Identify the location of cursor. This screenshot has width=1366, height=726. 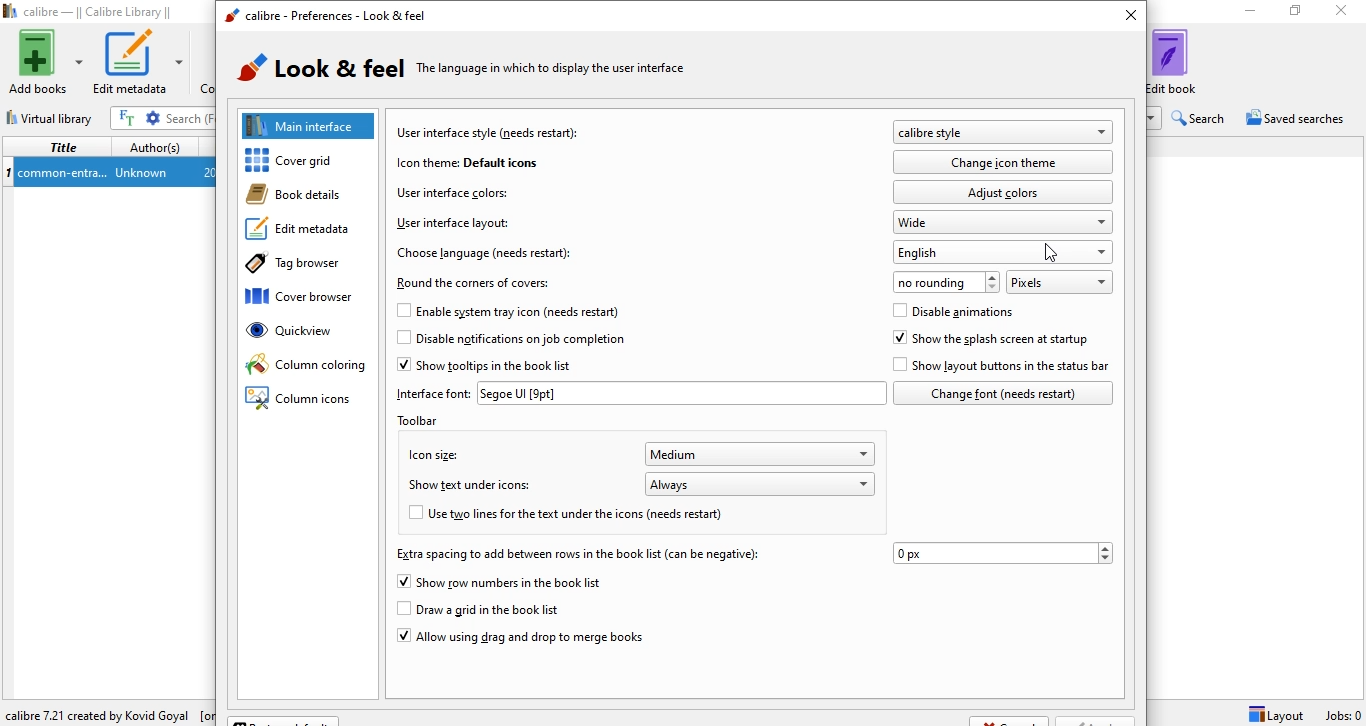
(1054, 258).